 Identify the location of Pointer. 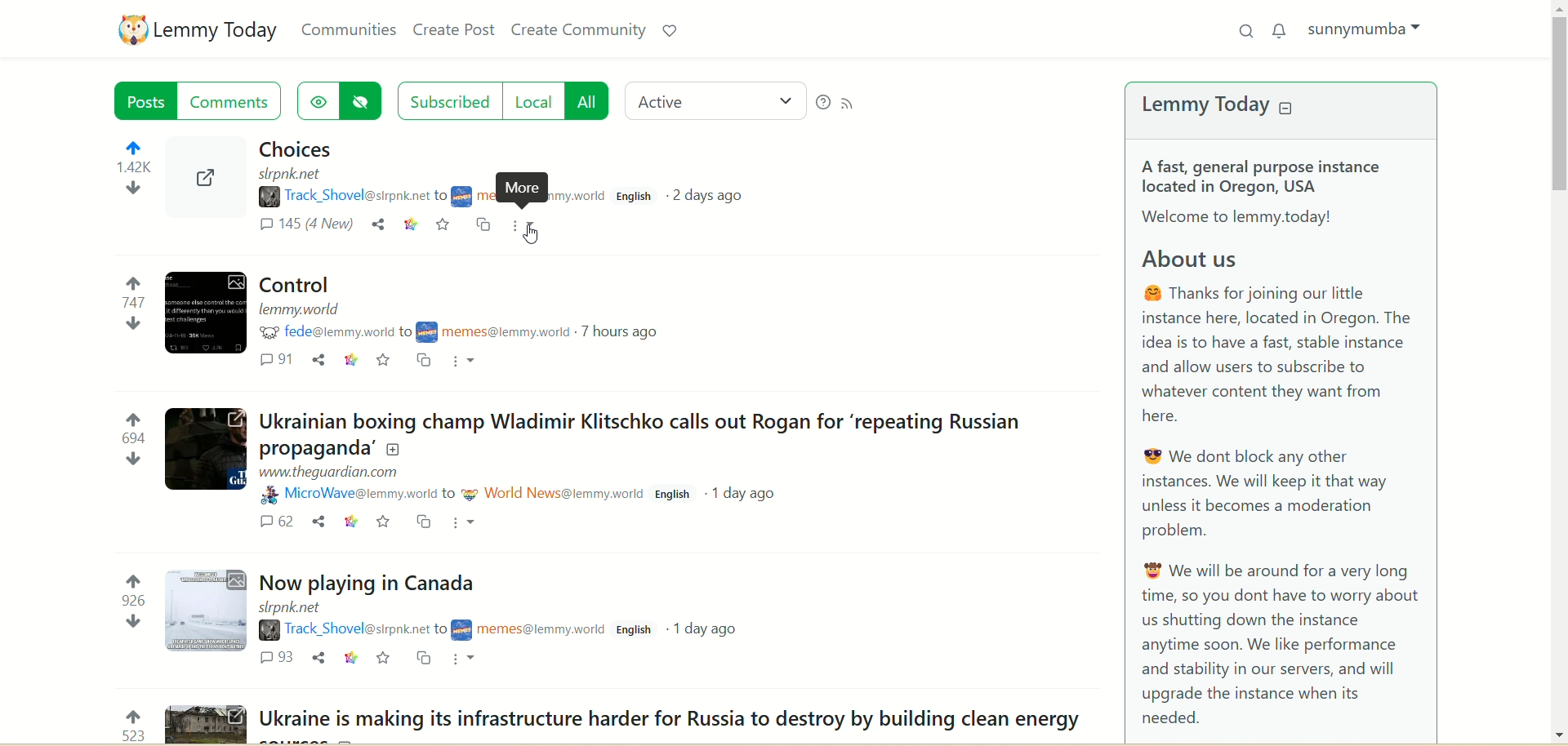
(543, 240).